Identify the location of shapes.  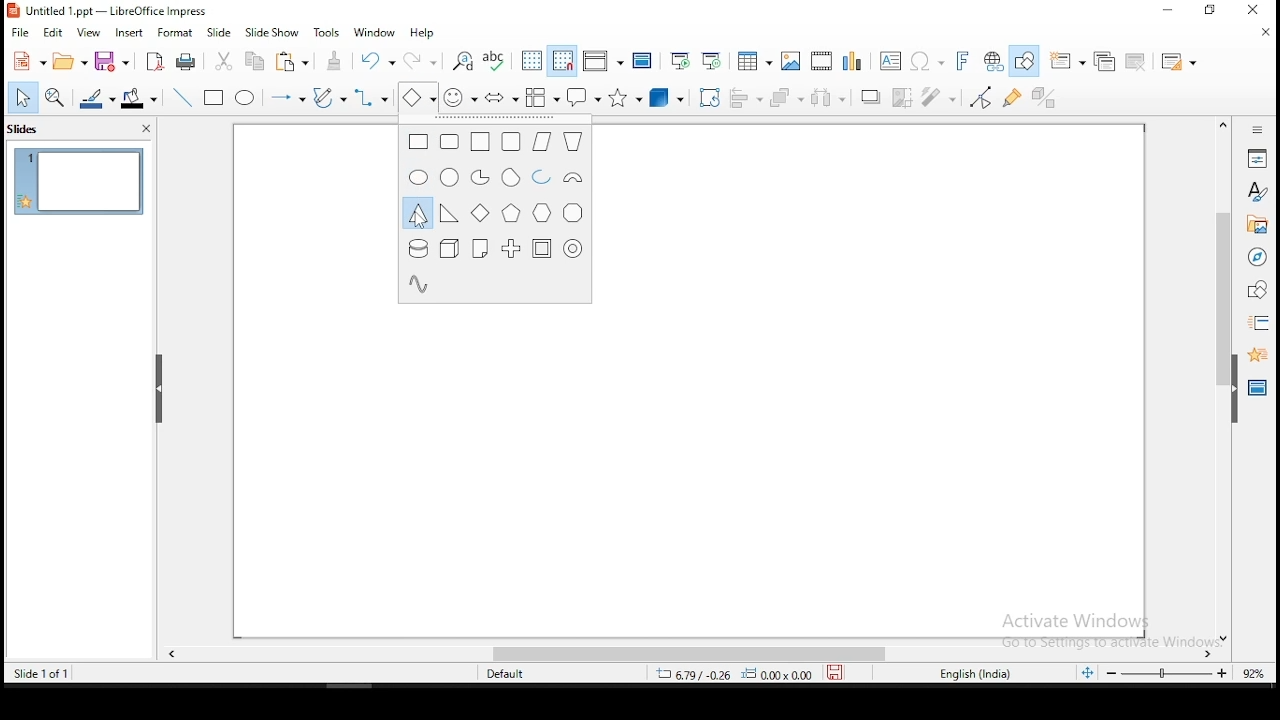
(1258, 291).